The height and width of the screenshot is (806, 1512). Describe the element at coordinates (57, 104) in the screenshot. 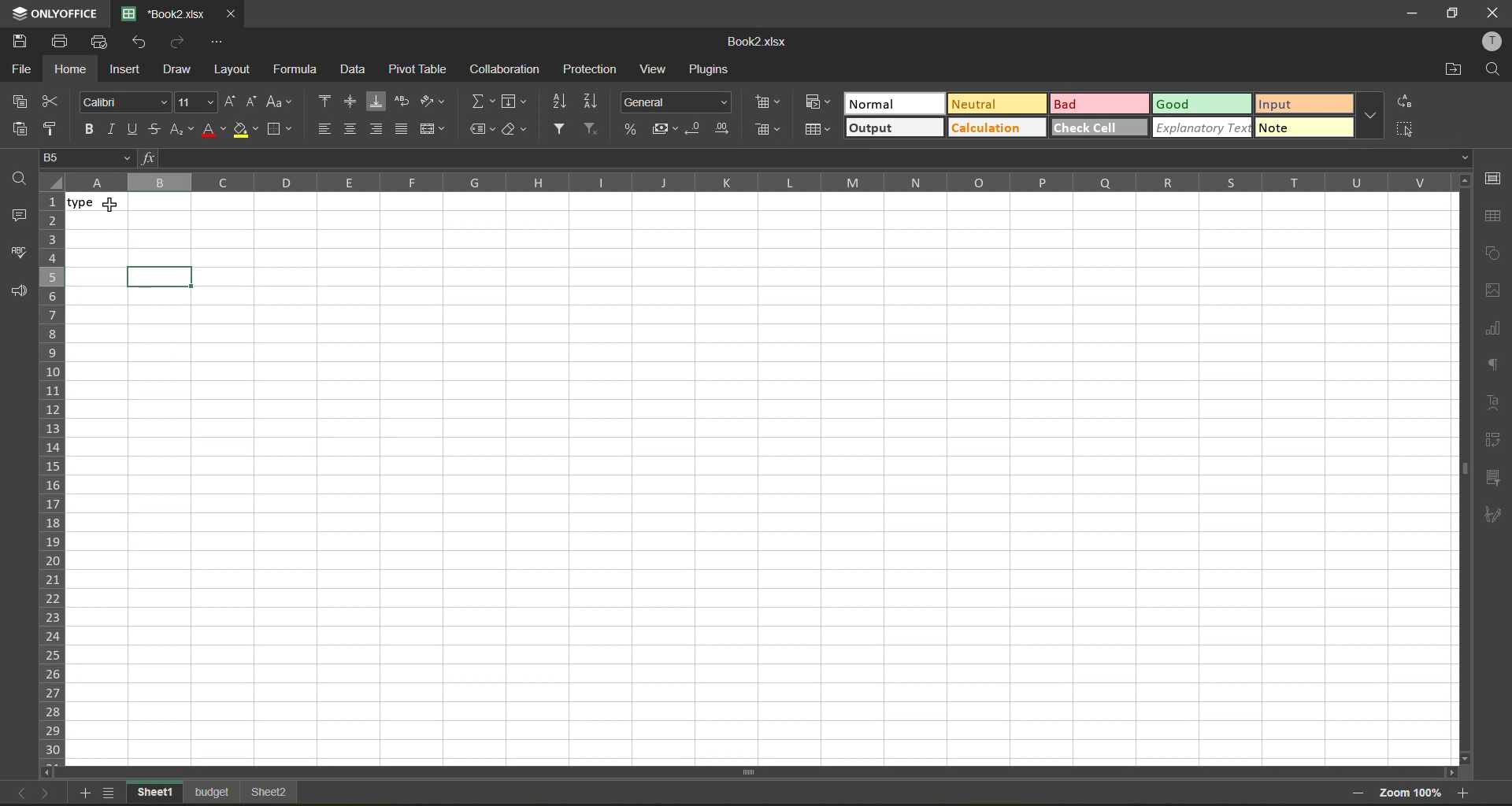

I see `cut` at that location.